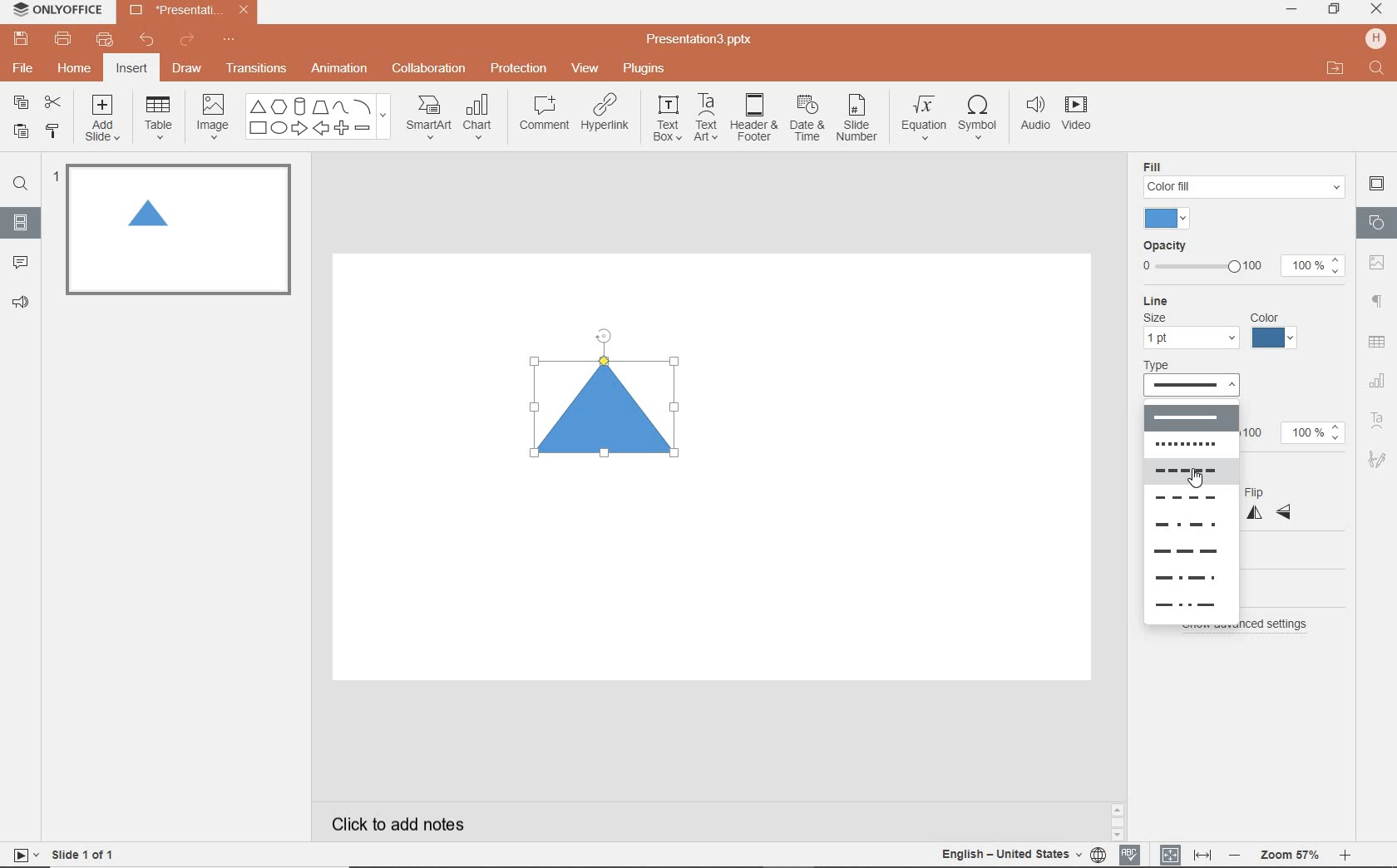 This screenshot has height=868, width=1397. What do you see at coordinates (1170, 219) in the screenshot?
I see `fill color` at bounding box center [1170, 219].